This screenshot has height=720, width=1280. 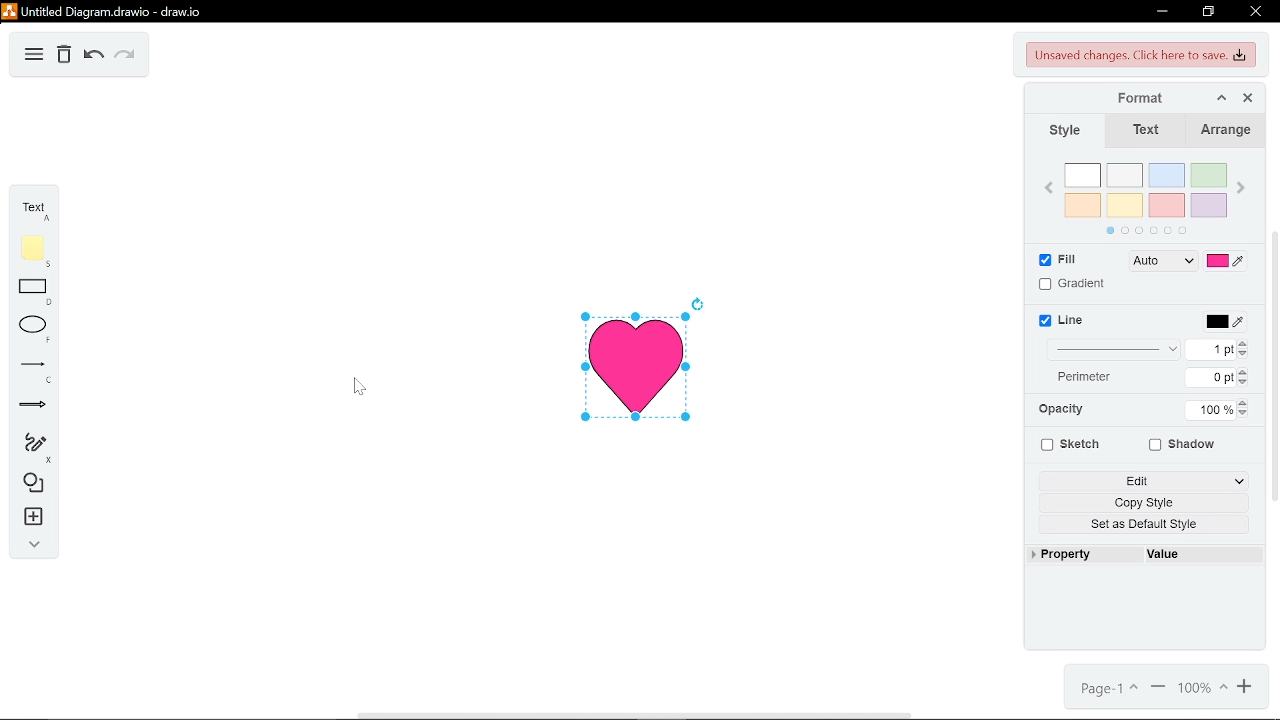 I want to click on close, so click(x=1256, y=11).